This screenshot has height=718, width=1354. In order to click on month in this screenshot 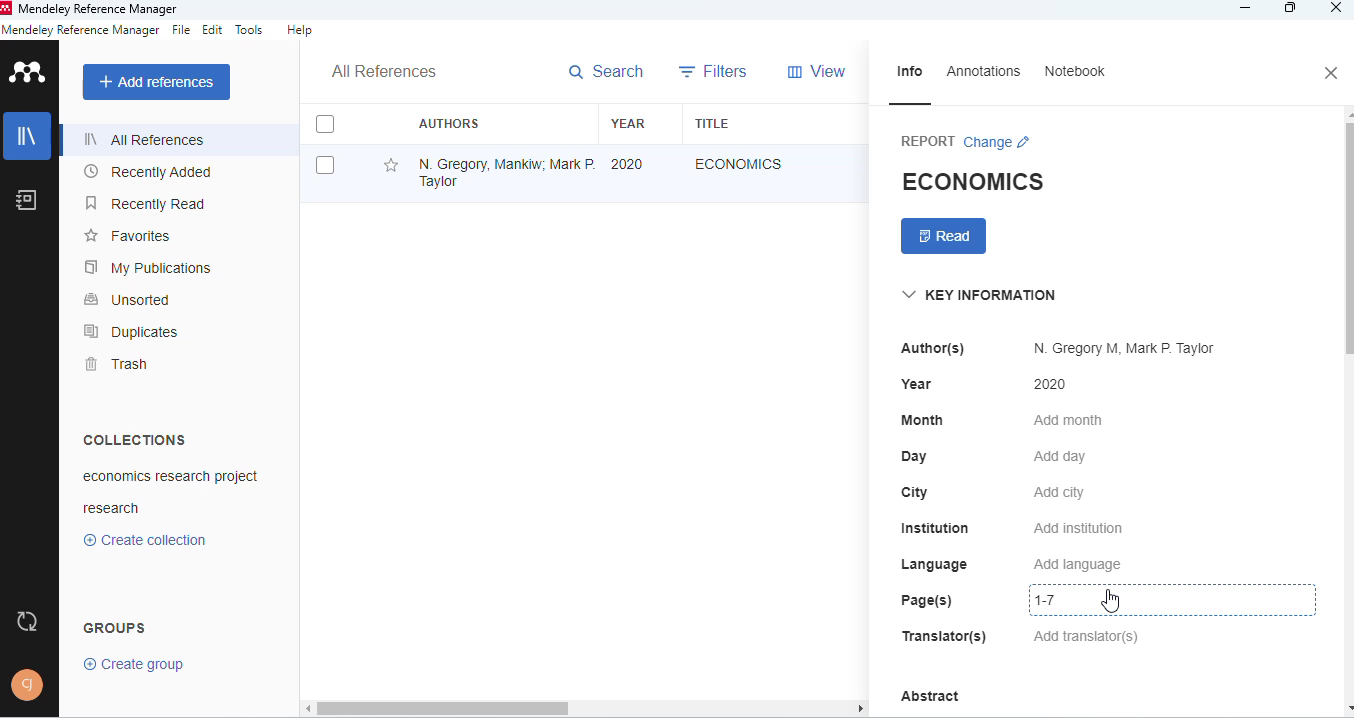, I will do `click(922, 420)`.